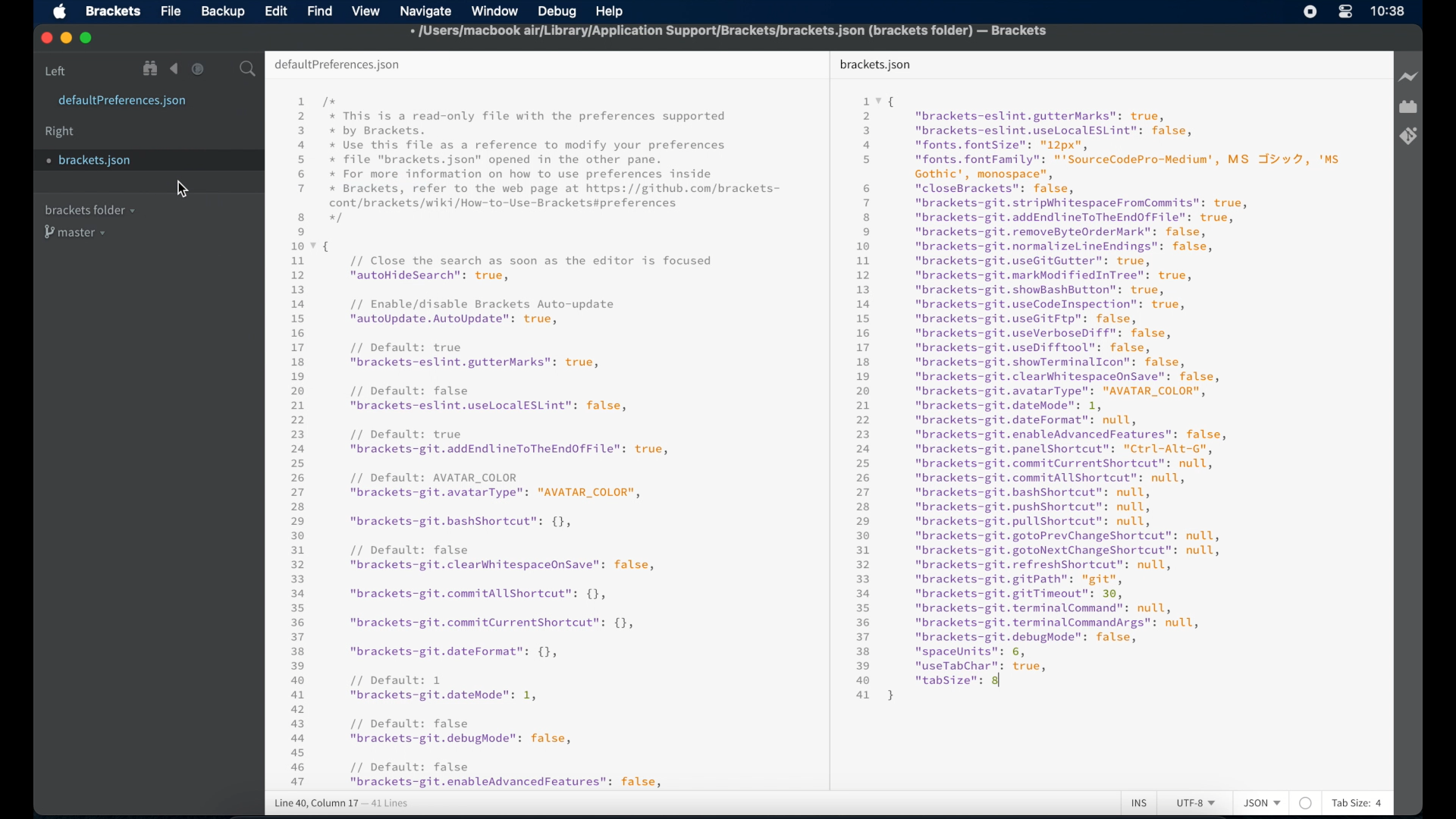  I want to click on debug, so click(557, 11).